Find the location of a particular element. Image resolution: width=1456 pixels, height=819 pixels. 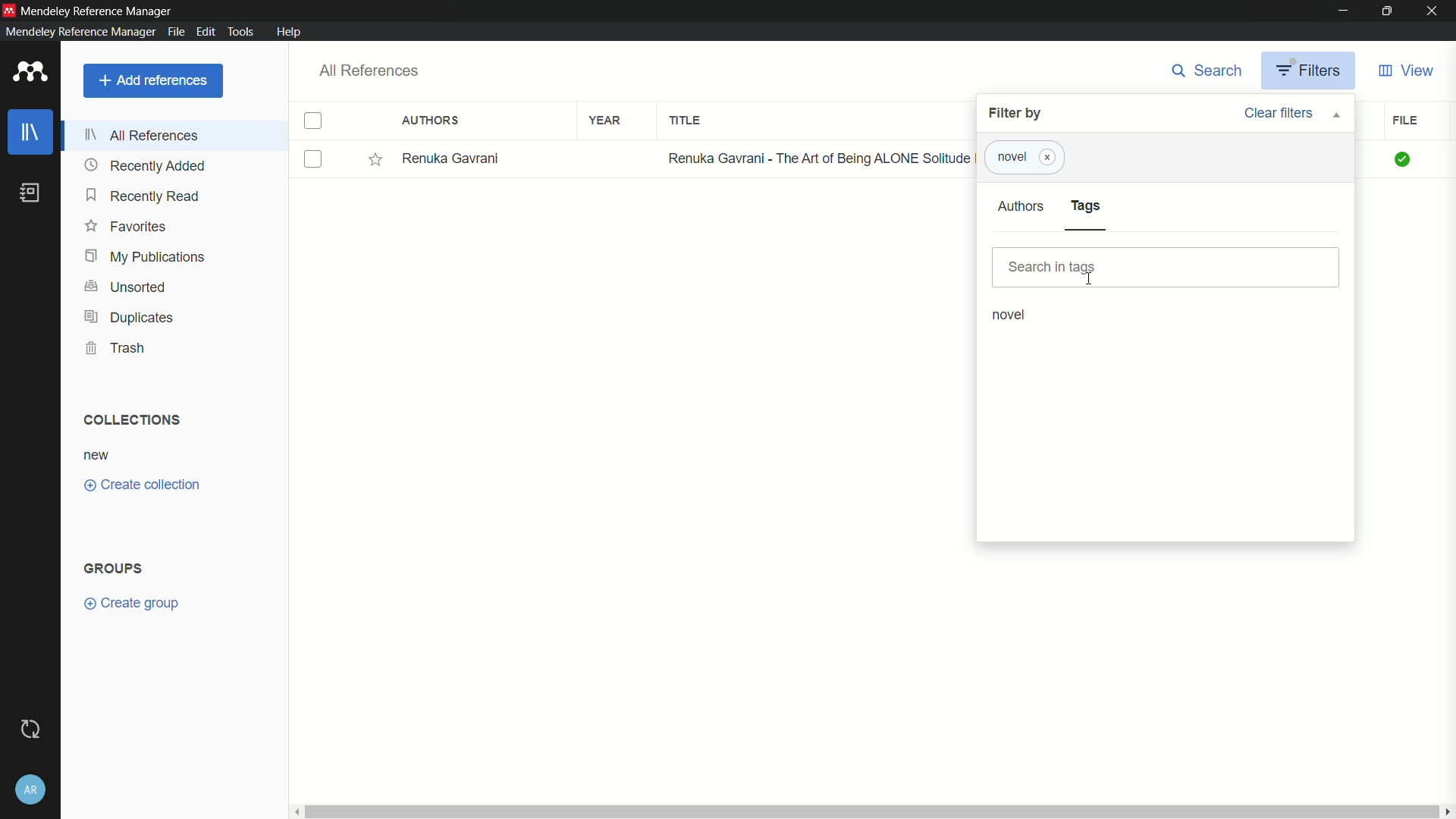

filter is located at coordinates (1308, 71).